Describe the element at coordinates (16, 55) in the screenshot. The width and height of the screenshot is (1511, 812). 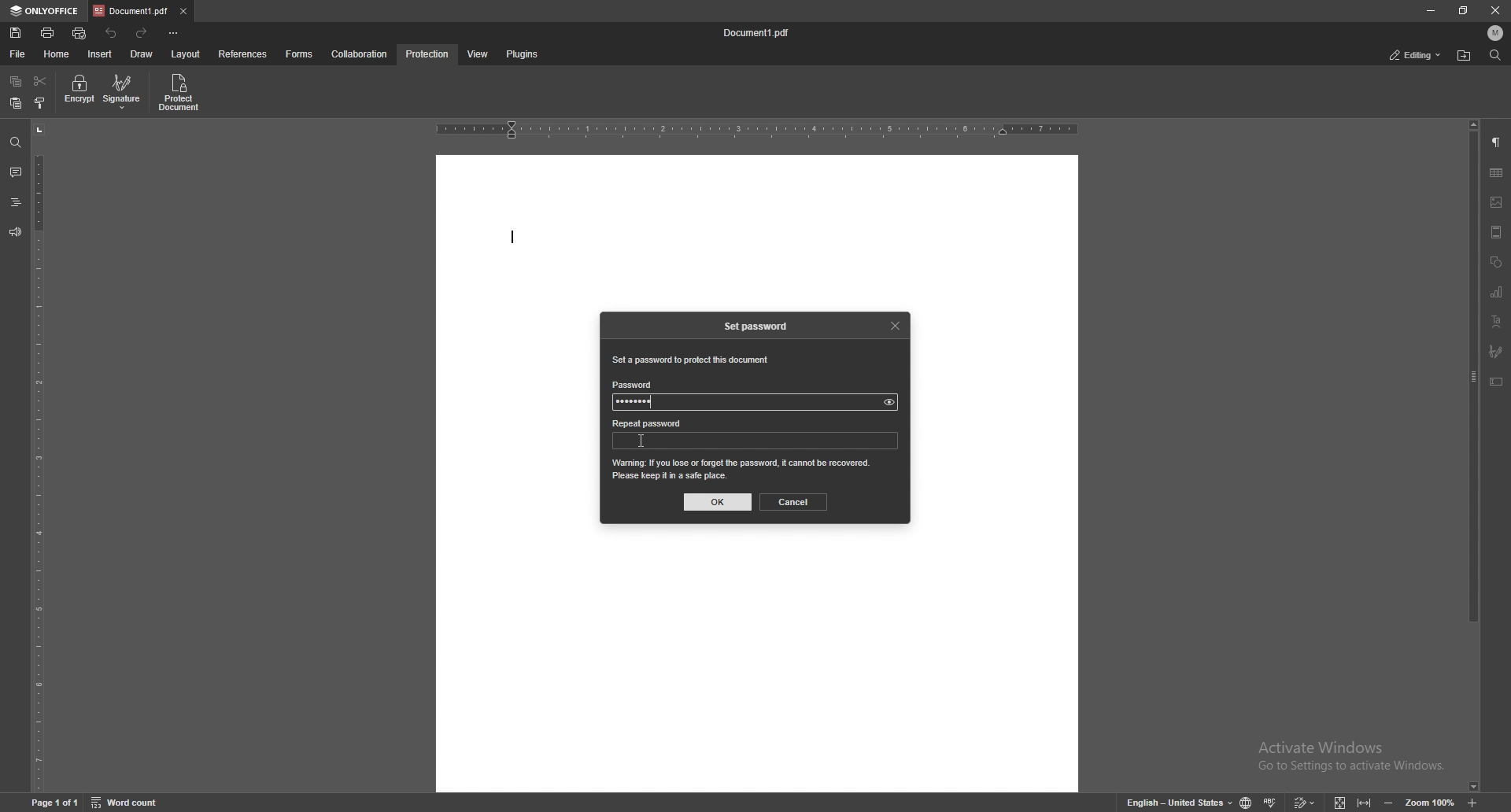
I see `file` at that location.